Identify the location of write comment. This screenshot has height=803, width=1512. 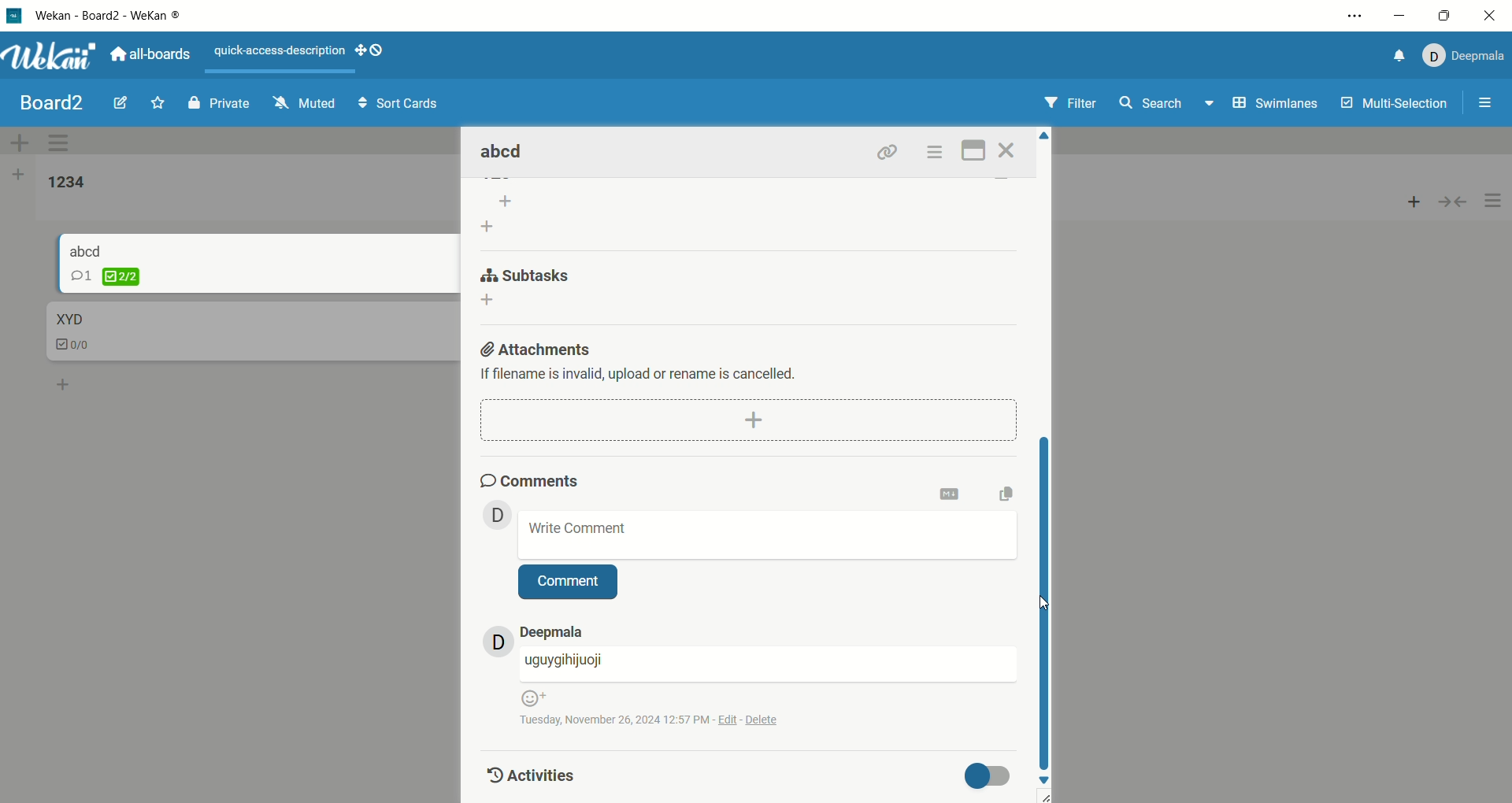
(769, 535).